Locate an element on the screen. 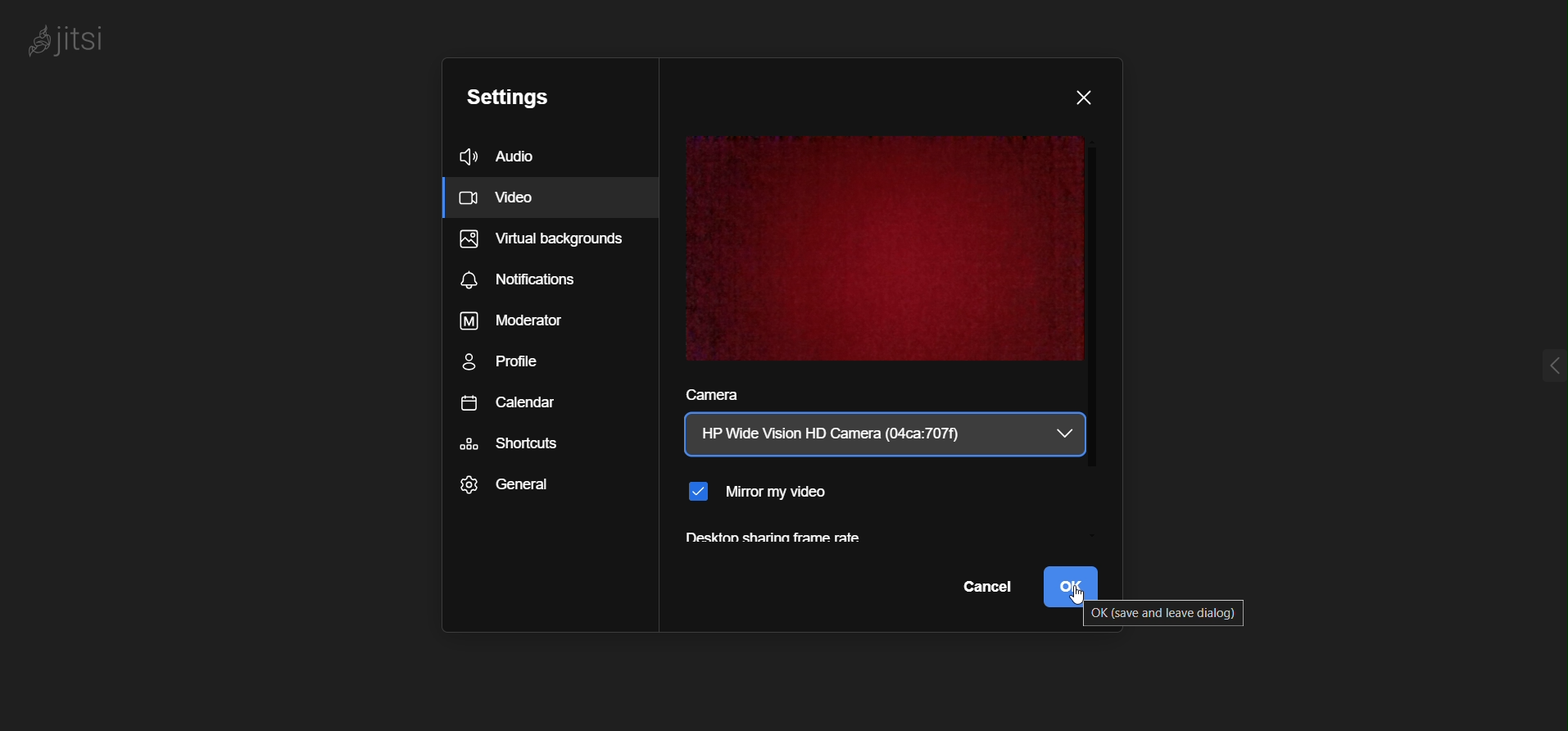 The width and height of the screenshot is (1568, 731). moderator is located at coordinates (524, 323).